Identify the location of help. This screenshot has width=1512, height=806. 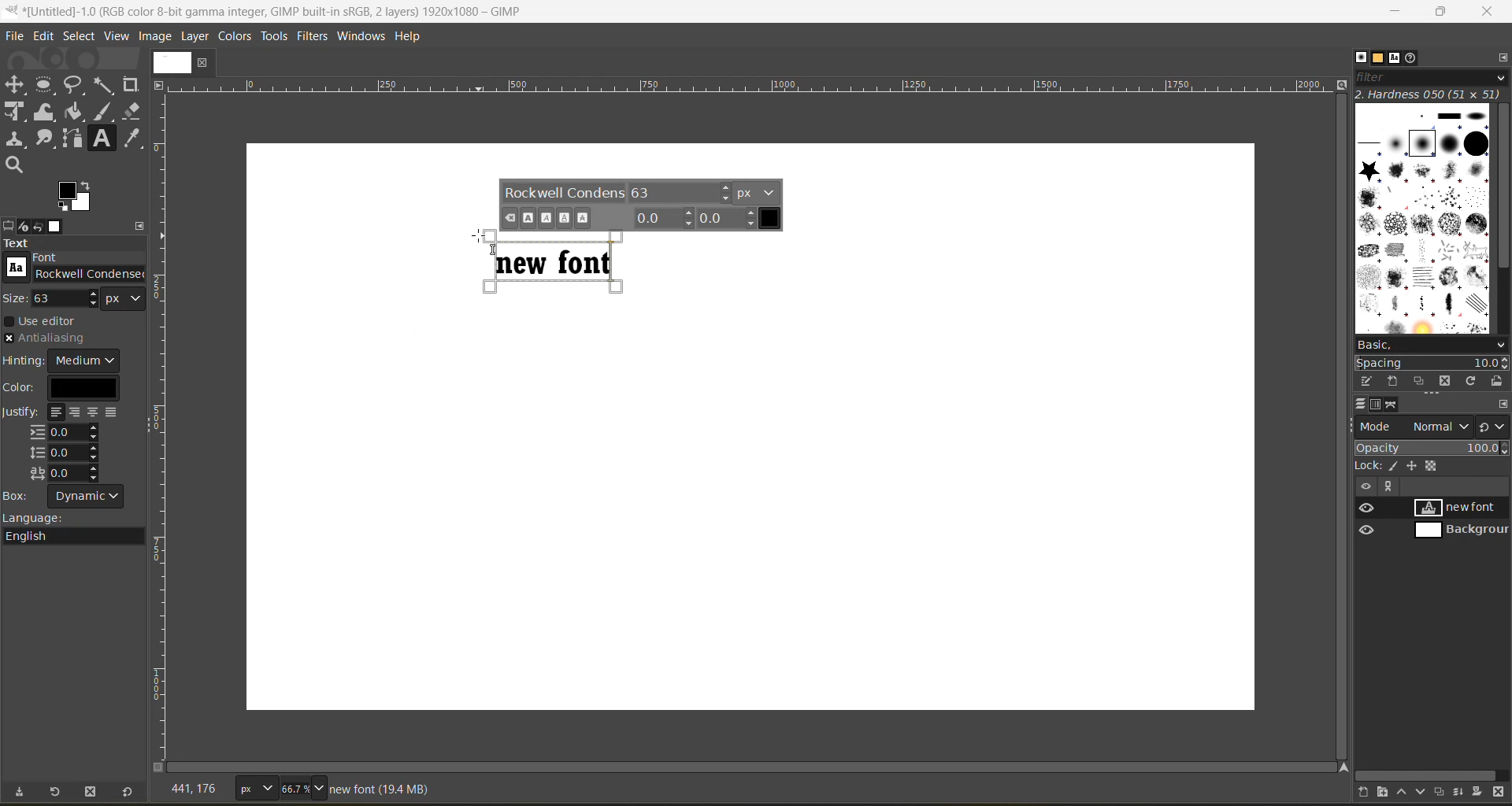
(413, 37).